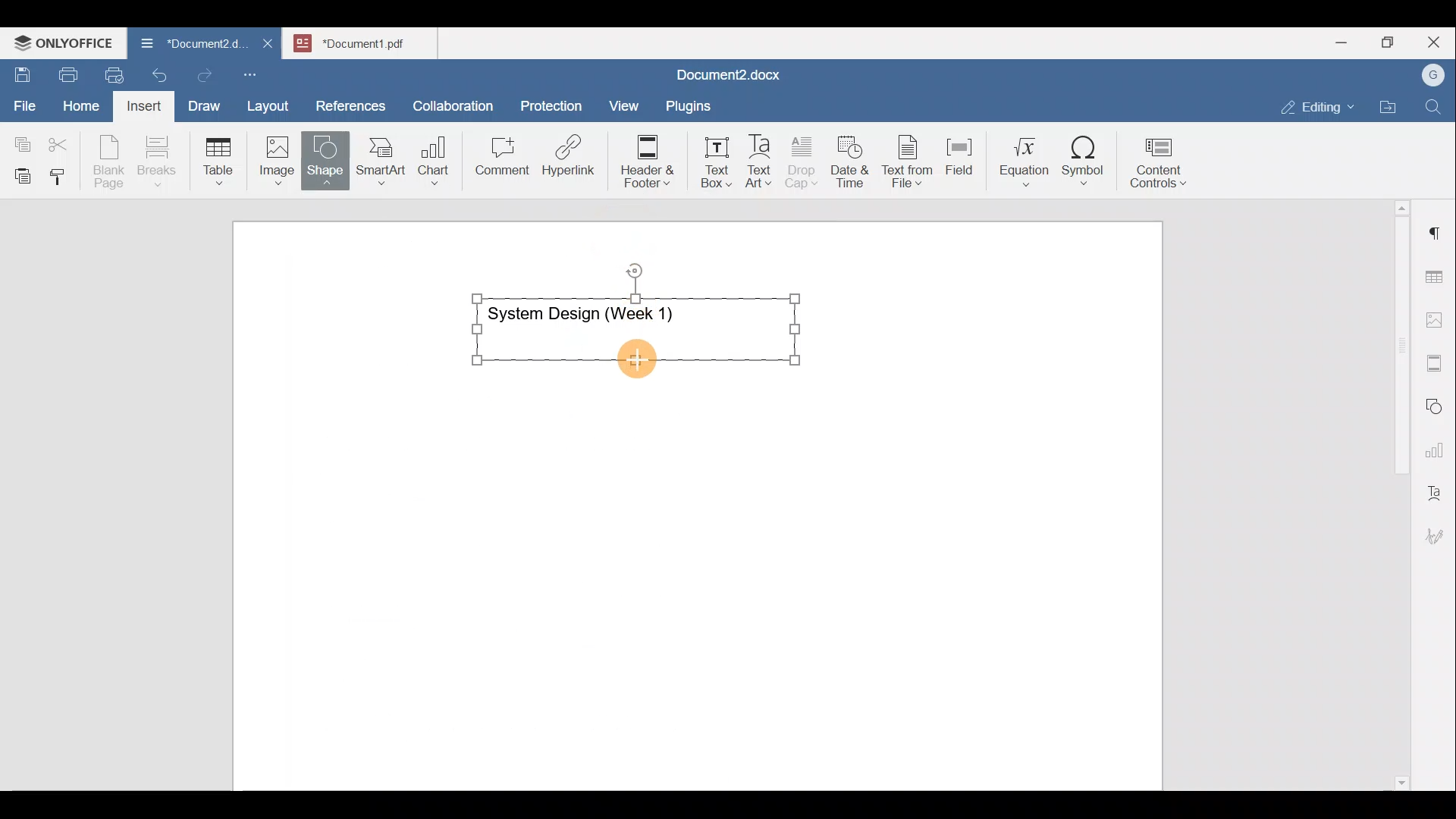  Describe the element at coordinates (1429, 76) in the screenshot. I see `Account name` at that location.